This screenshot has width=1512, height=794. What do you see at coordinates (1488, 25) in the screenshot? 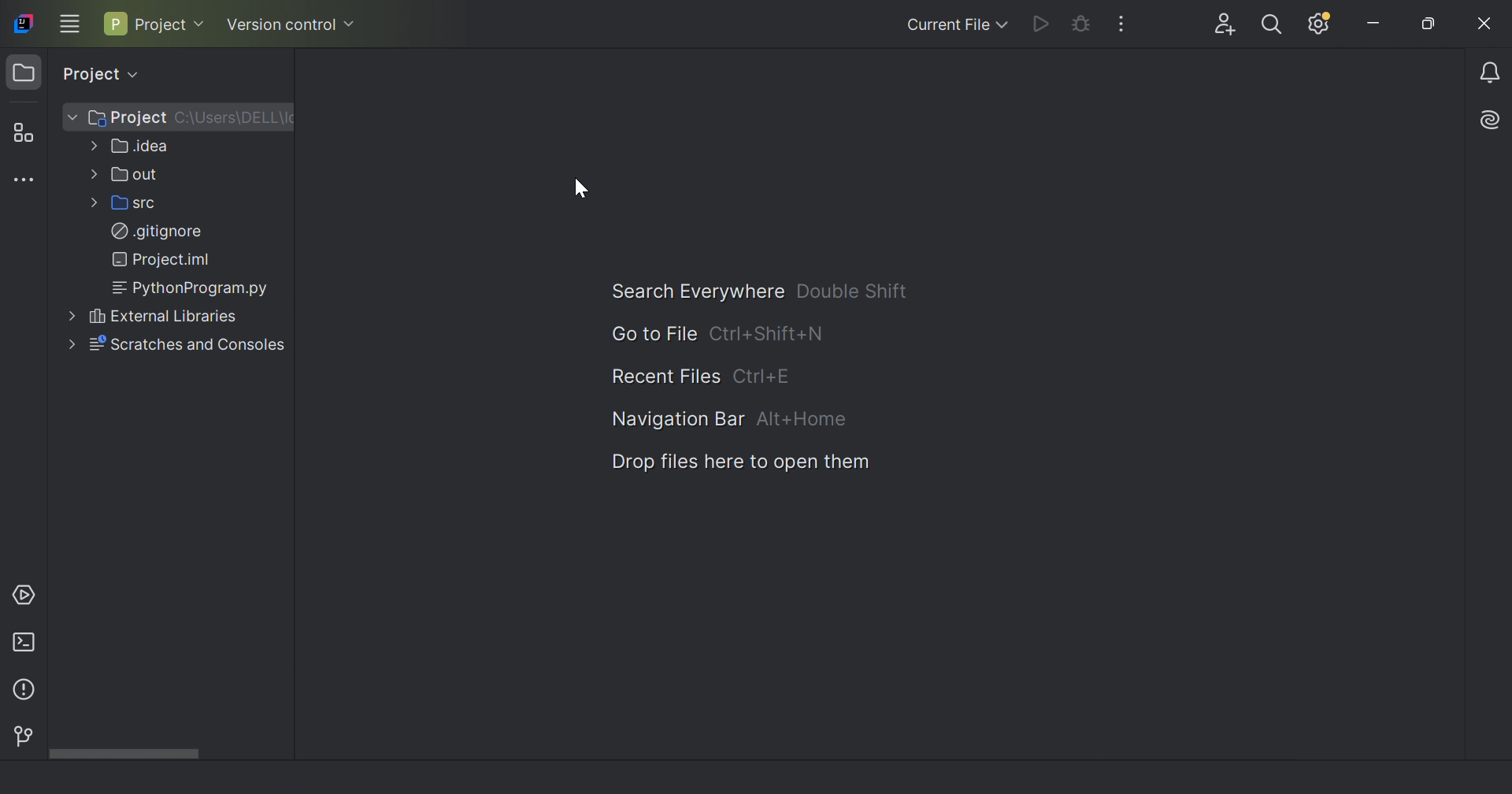
I see `Close` at bounding box center [1488, 25].